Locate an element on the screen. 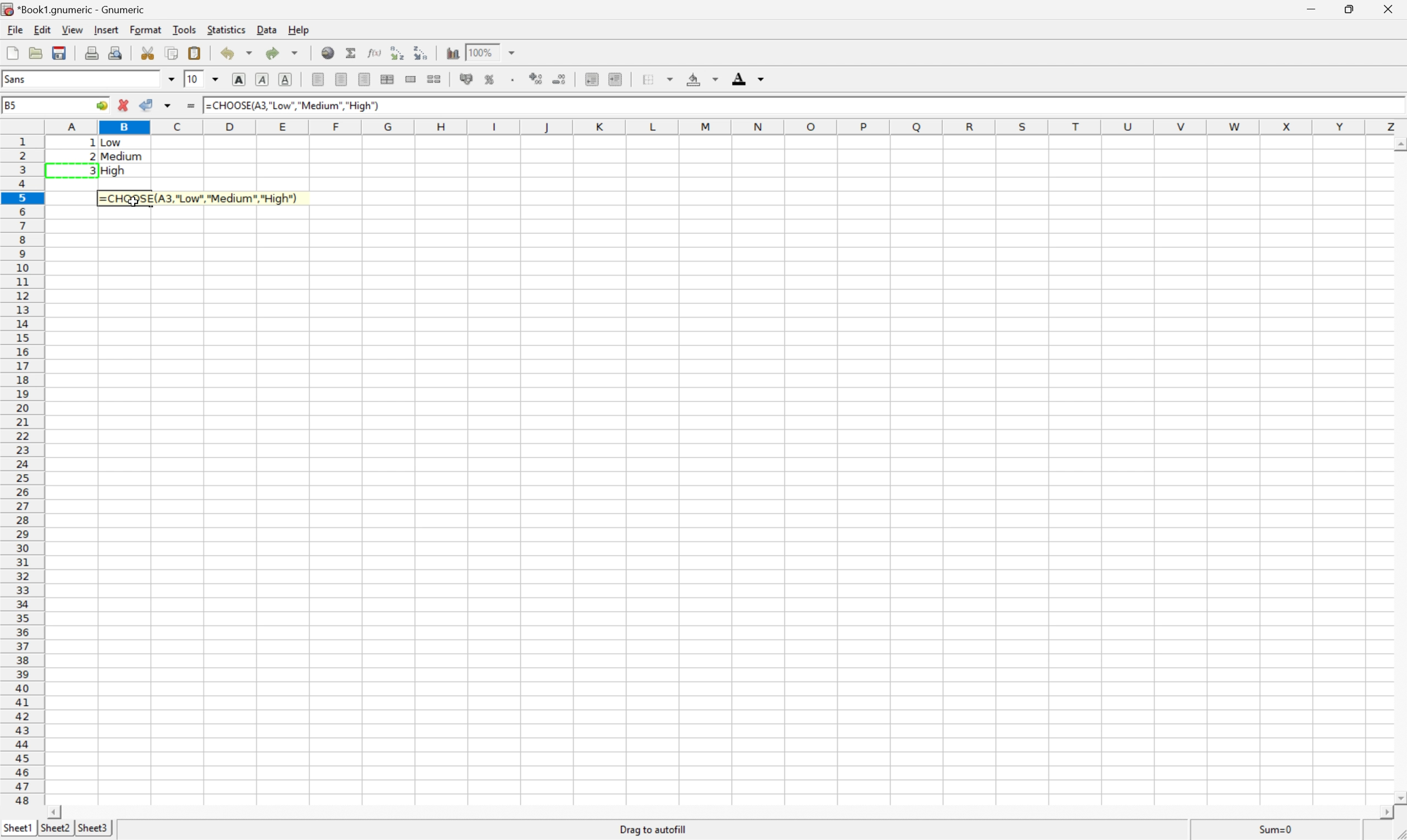 This screenshot has height=840, width=1407. Edit function in current cell is located at coordinates (375, 53).